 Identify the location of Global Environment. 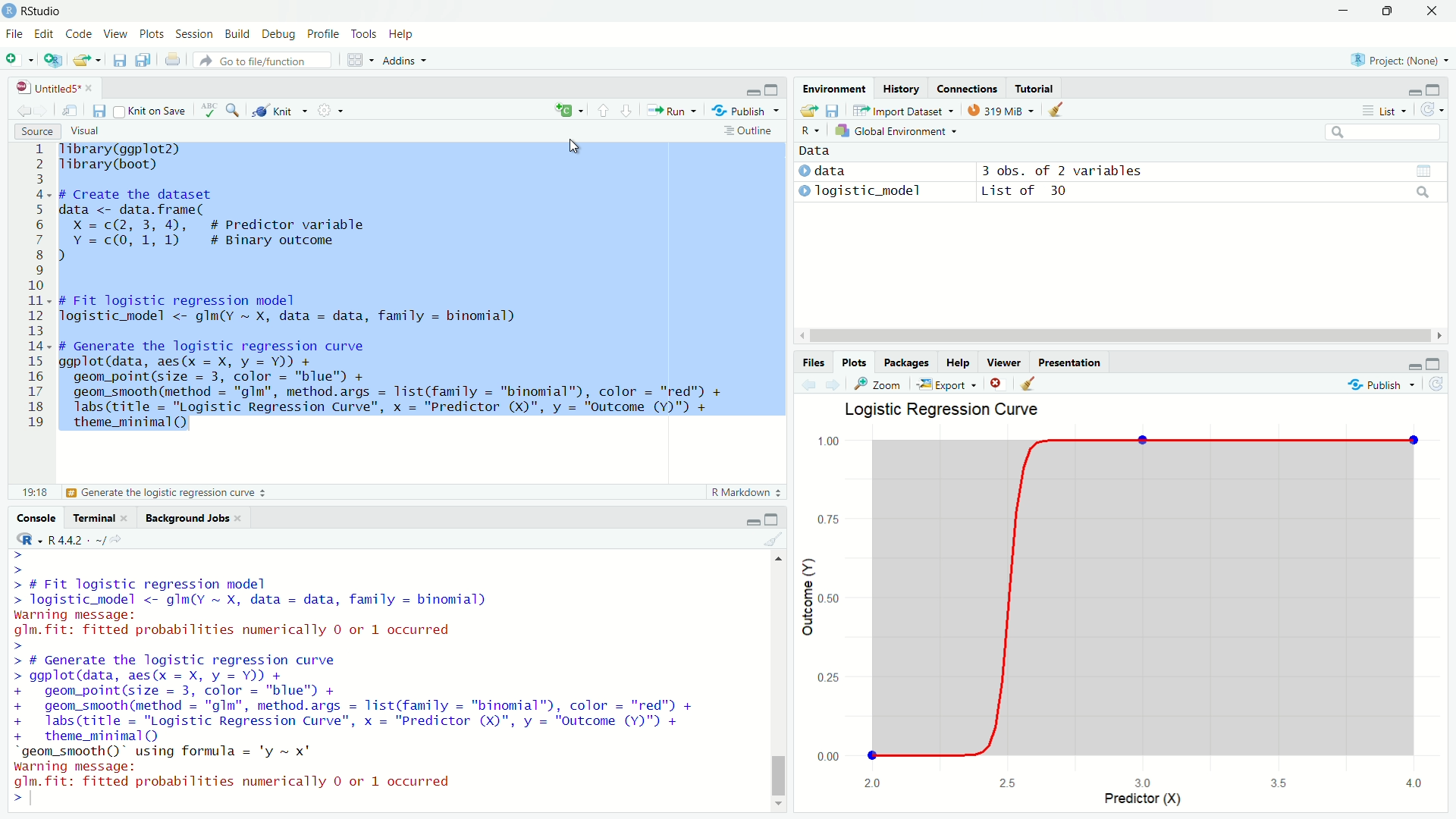
(896, 130).